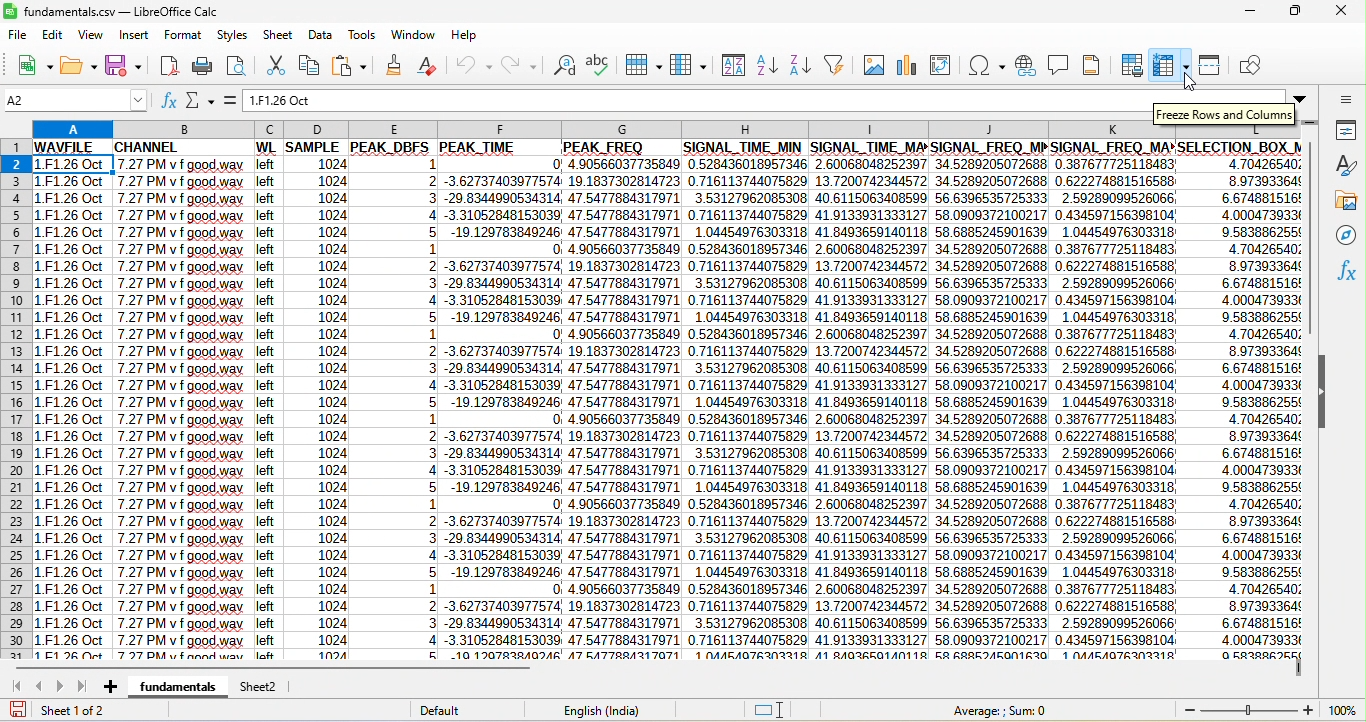 This screenshot has width=1366, height=722. Describe the element at coordinates (798, 63) in the screenshot. I see `sort descending` at that location.